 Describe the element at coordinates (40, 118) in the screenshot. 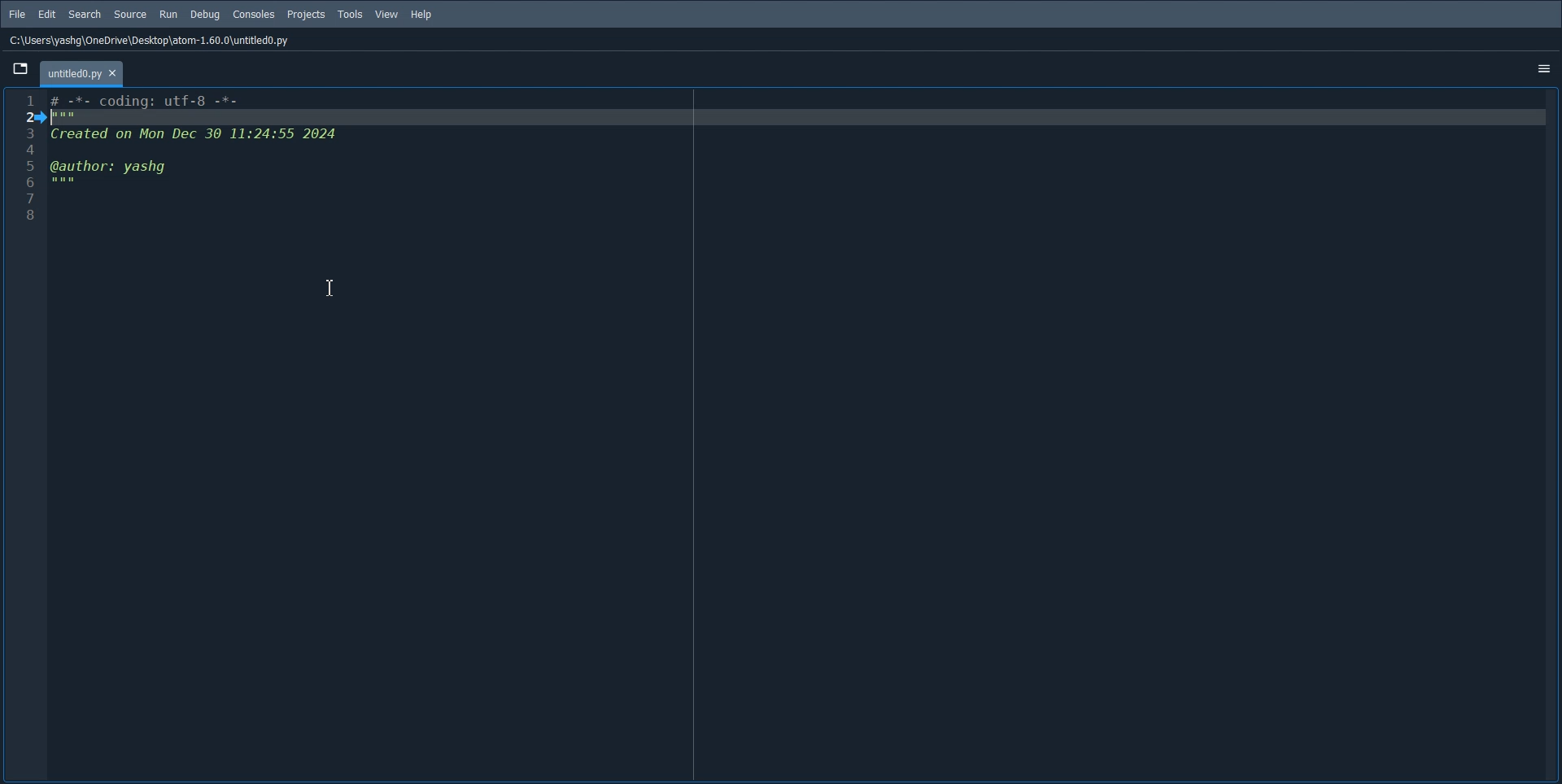

I see `Debugger arrow` at that location.